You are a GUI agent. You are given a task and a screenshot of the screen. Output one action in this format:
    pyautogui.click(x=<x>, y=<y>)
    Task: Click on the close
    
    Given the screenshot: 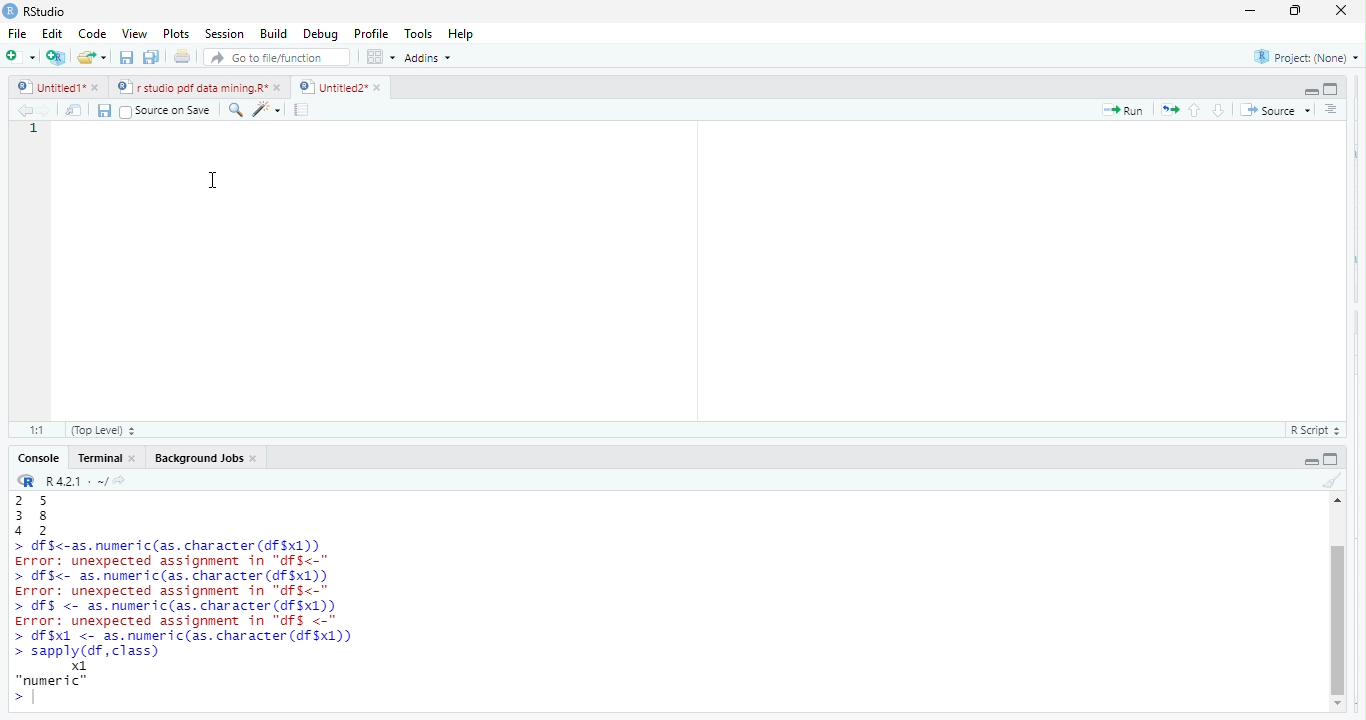 What is the action you would take?
    pyautogui.click(x=279, y=89)
    